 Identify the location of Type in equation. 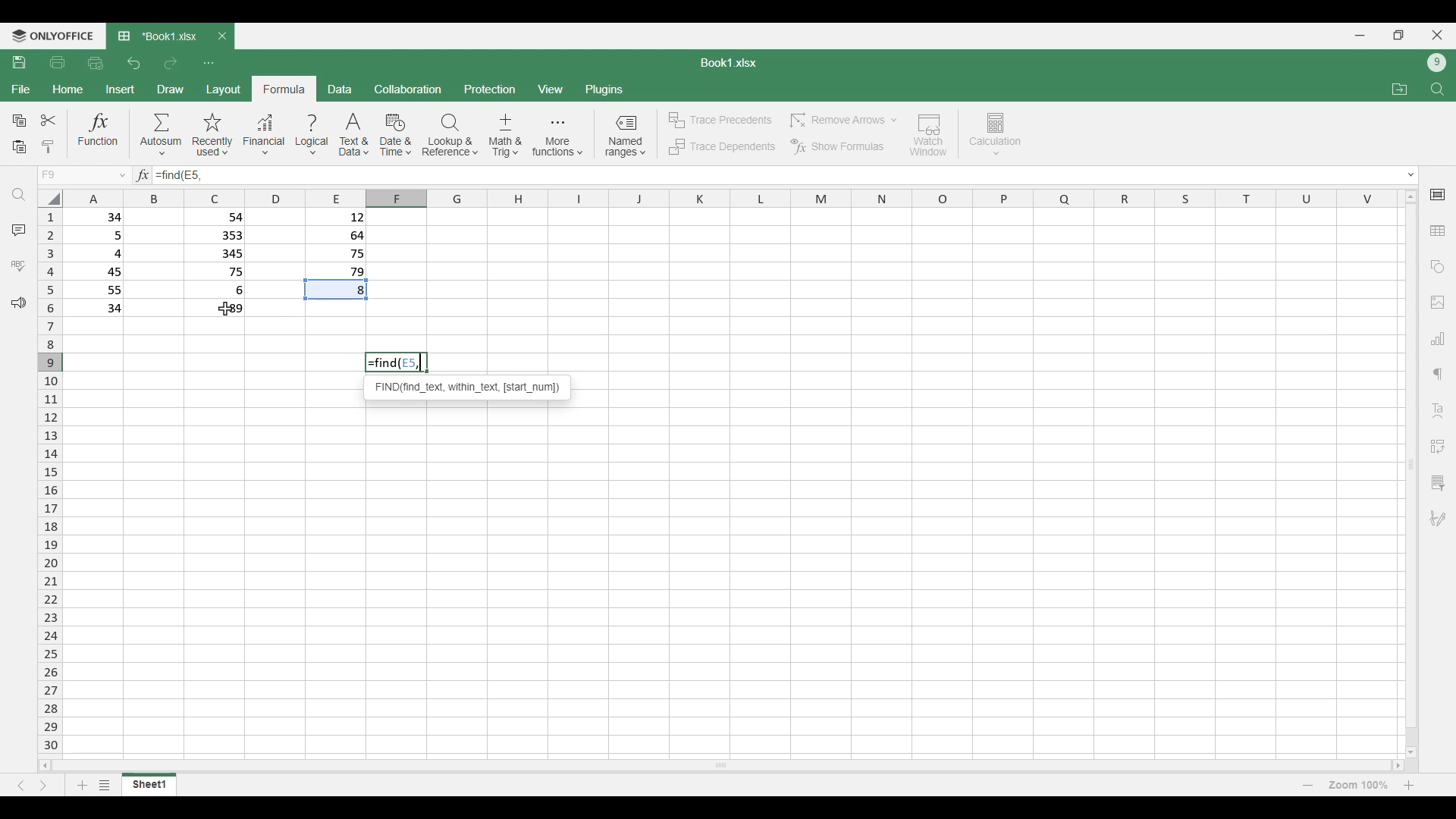
(797, 175).